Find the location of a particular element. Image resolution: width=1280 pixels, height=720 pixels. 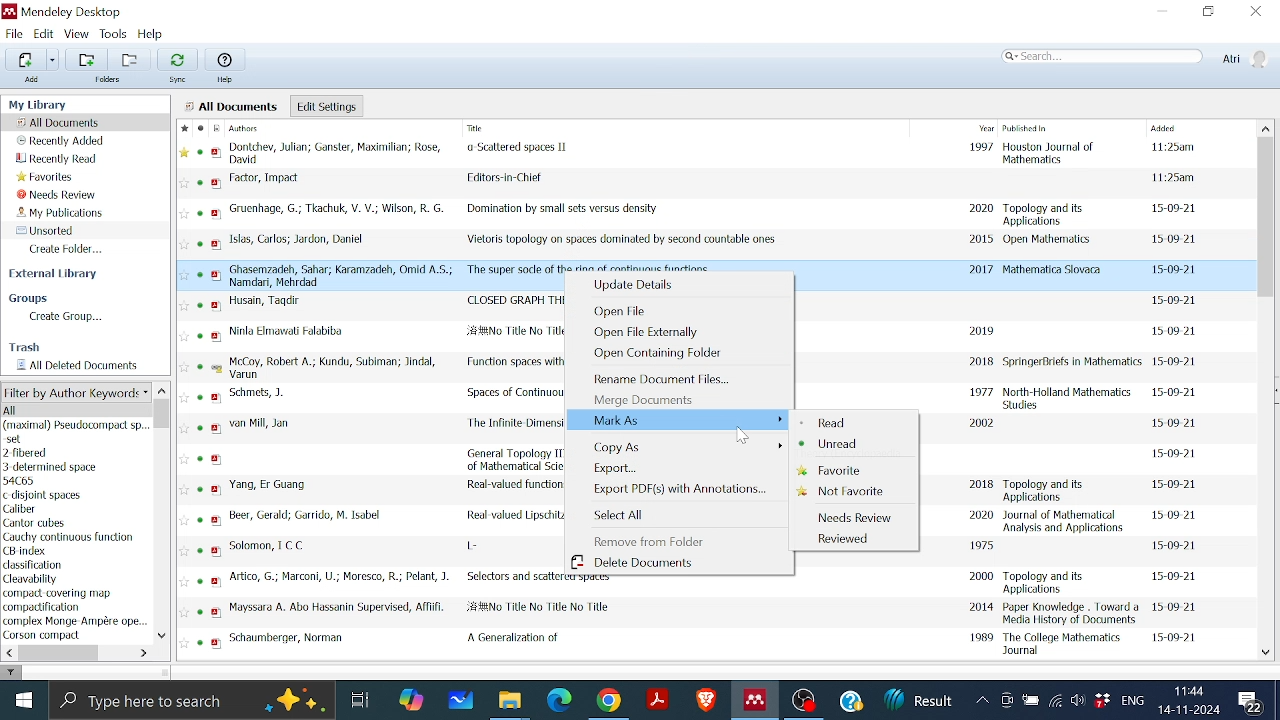

L - is located at coordinates (366, 551).